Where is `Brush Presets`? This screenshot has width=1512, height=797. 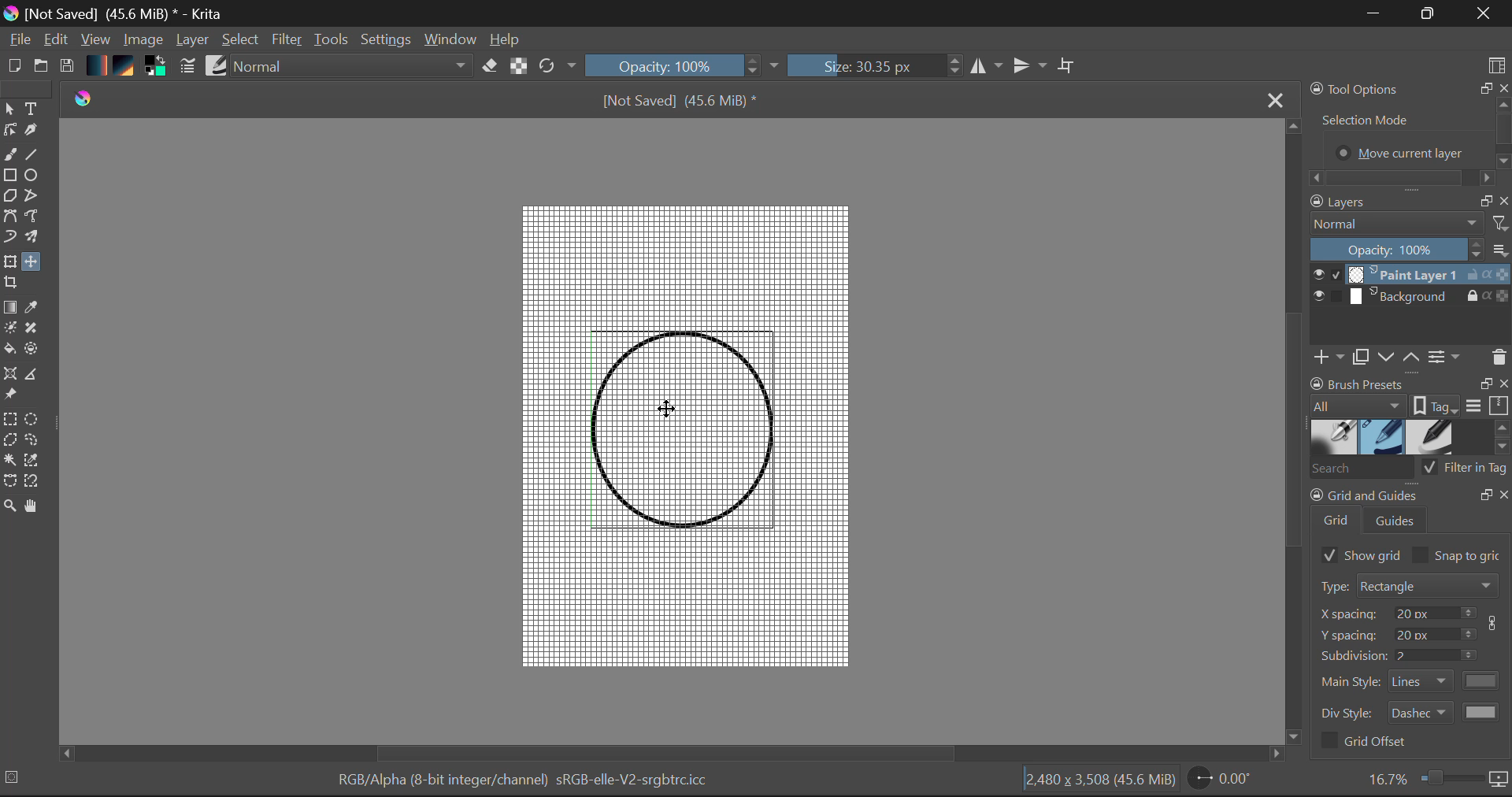
Brush Presets is located at coordinates (1410, 437).